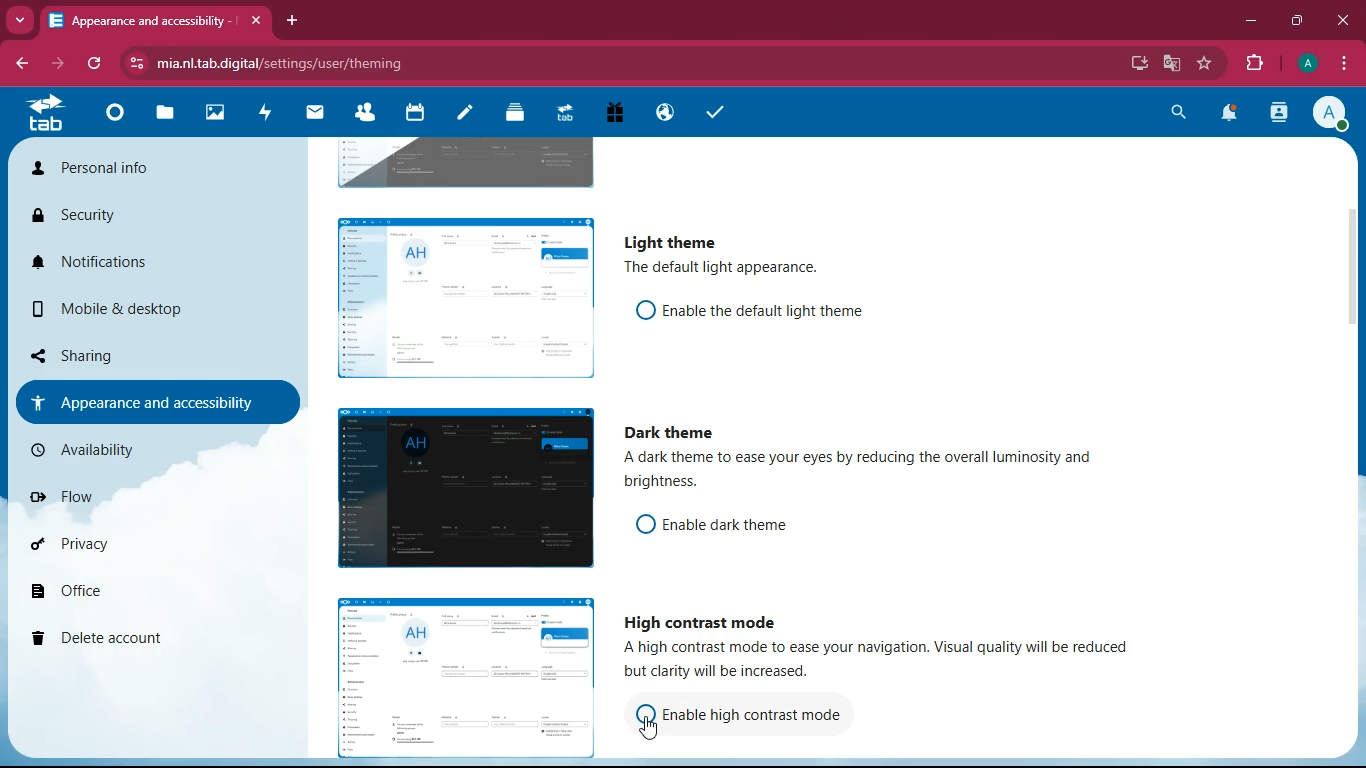  What do you see at coordinates (117, 309) in the screenshot?
I see `mobile` at bounding box center [117, 309].